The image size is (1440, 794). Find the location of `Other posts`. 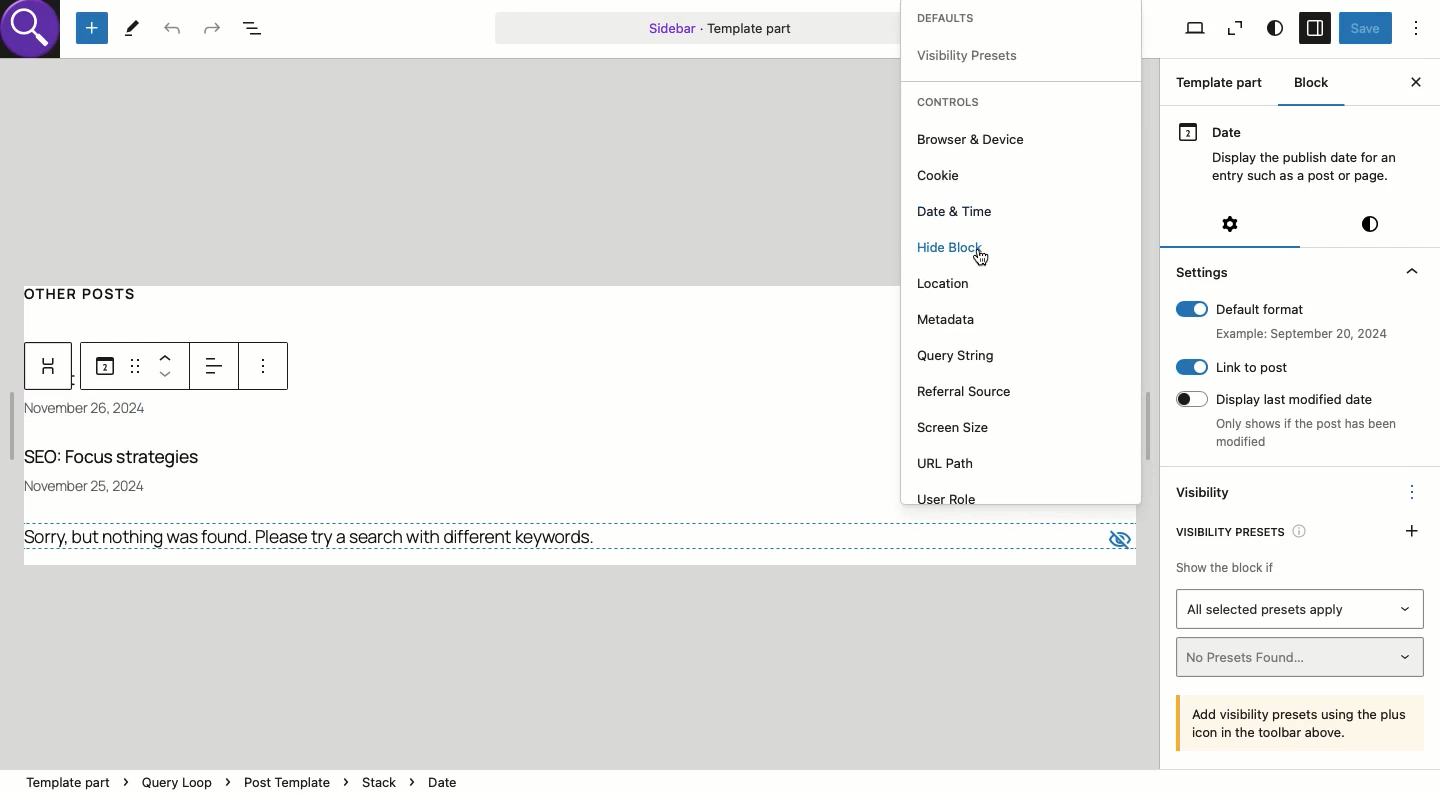

Other posts is located at coordinates (91, 291).